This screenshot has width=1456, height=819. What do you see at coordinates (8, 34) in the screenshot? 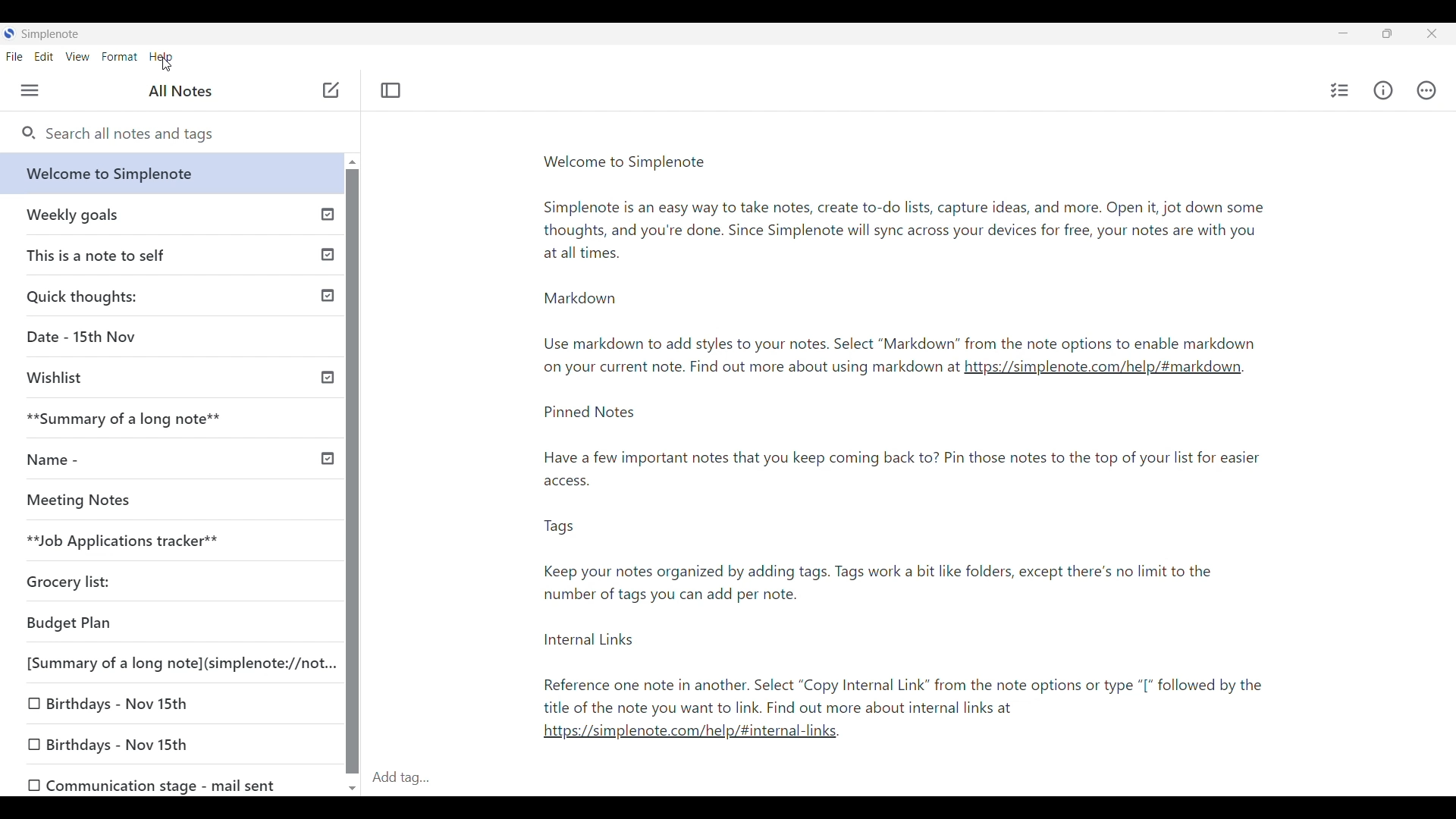
I see `Software logo` at bounding box center [8, 34].